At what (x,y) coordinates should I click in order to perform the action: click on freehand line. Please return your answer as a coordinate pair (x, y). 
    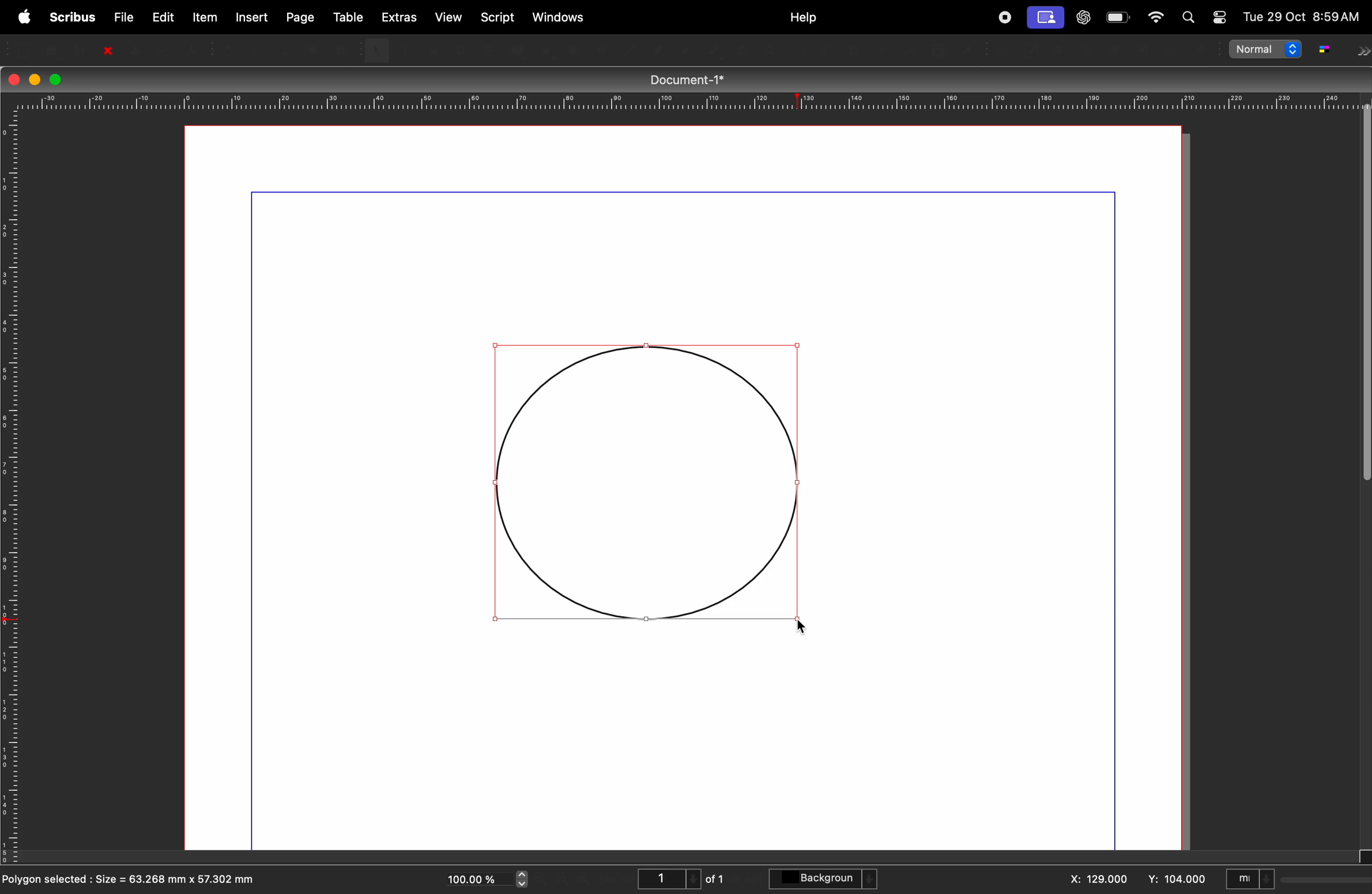
    Looking at the image, I should click on (717, 50).